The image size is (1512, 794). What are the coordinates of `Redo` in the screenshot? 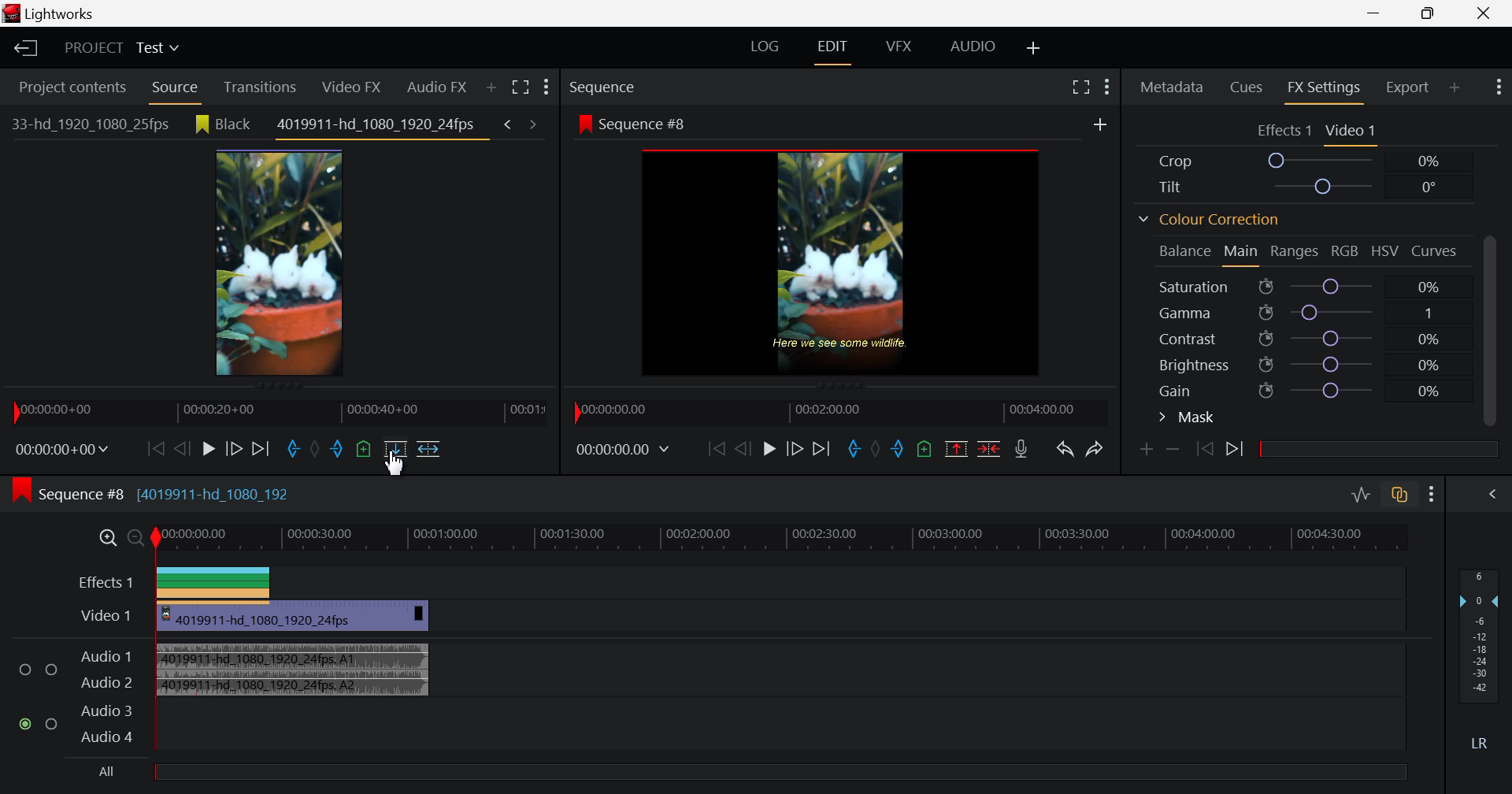 It's located at (1097, 449).